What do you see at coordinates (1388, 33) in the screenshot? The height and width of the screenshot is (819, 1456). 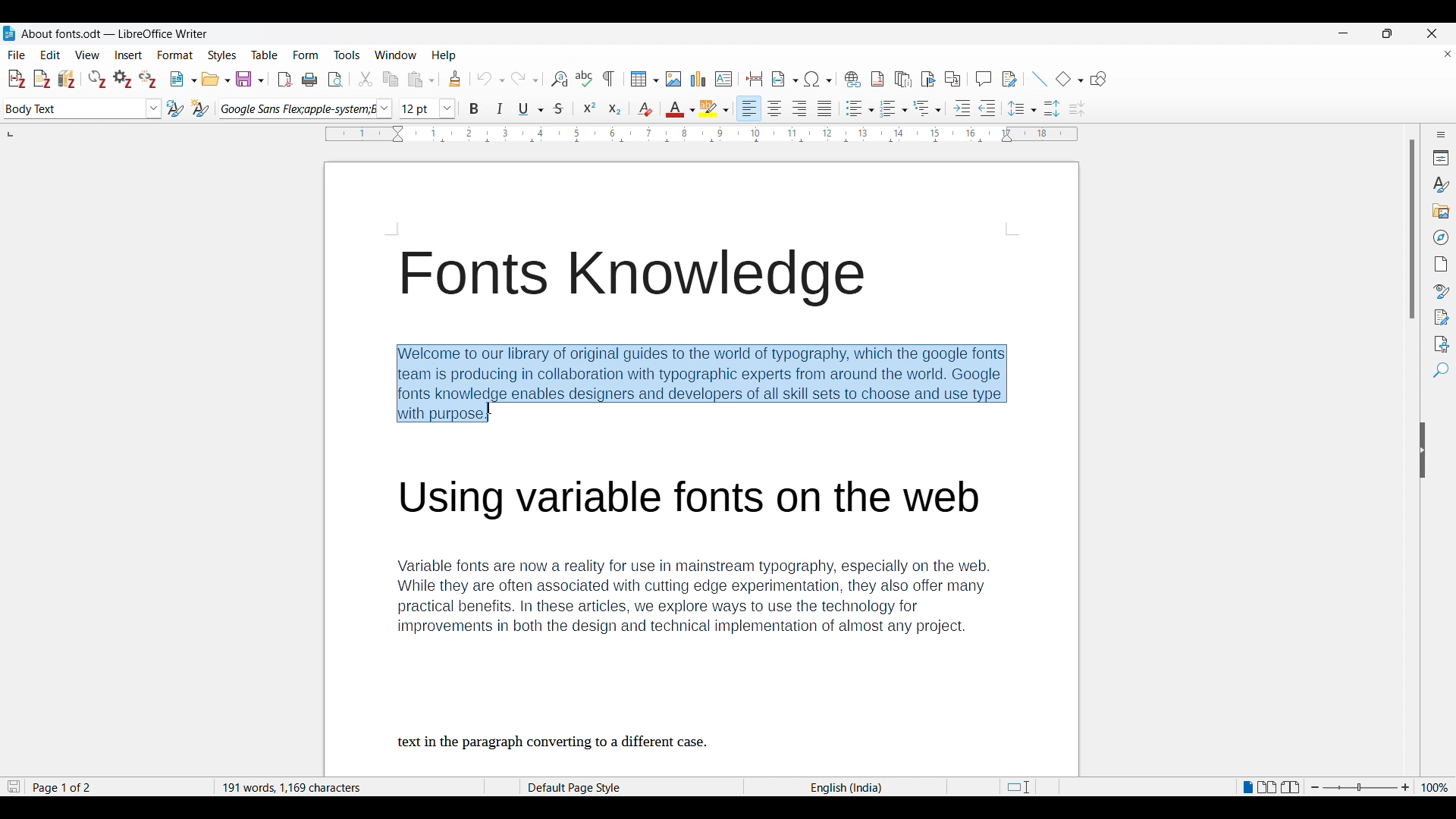 I see `Show in smaller tab` at bounding box center [1388, 33].